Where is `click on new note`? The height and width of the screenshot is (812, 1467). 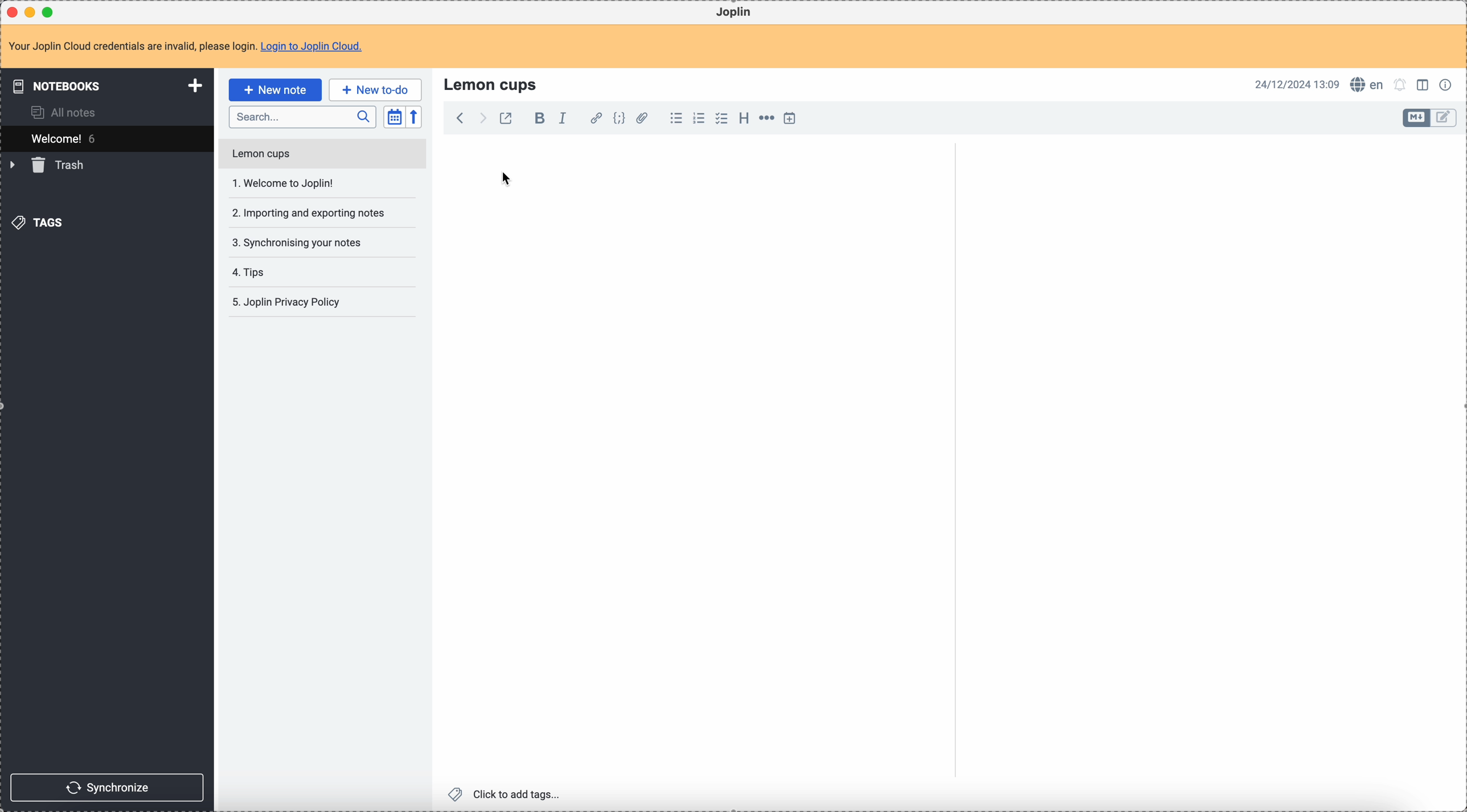 click on new note is located at coordinates (274, 89).